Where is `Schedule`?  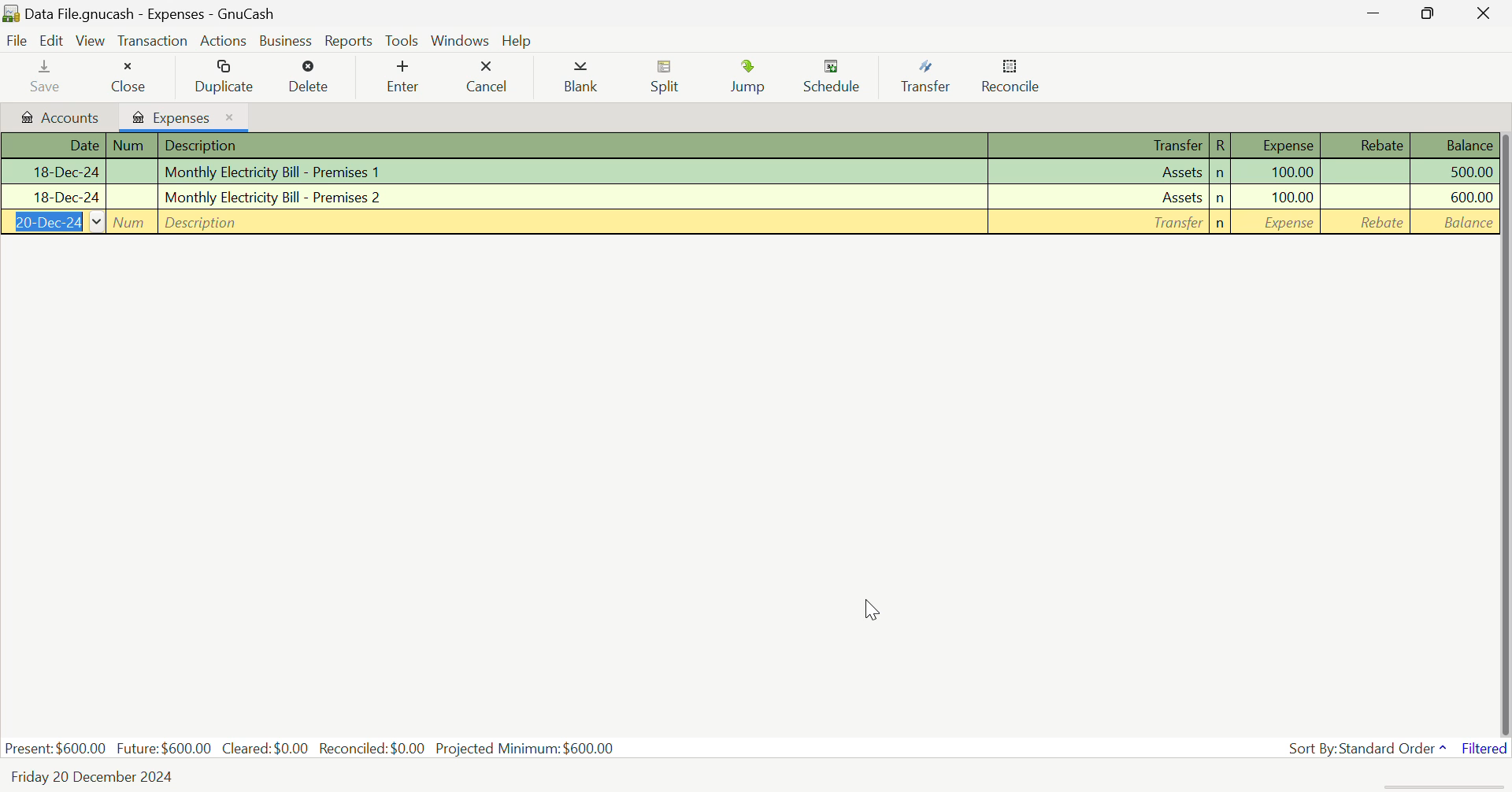 Schedule is located at coordinates (839, 79).